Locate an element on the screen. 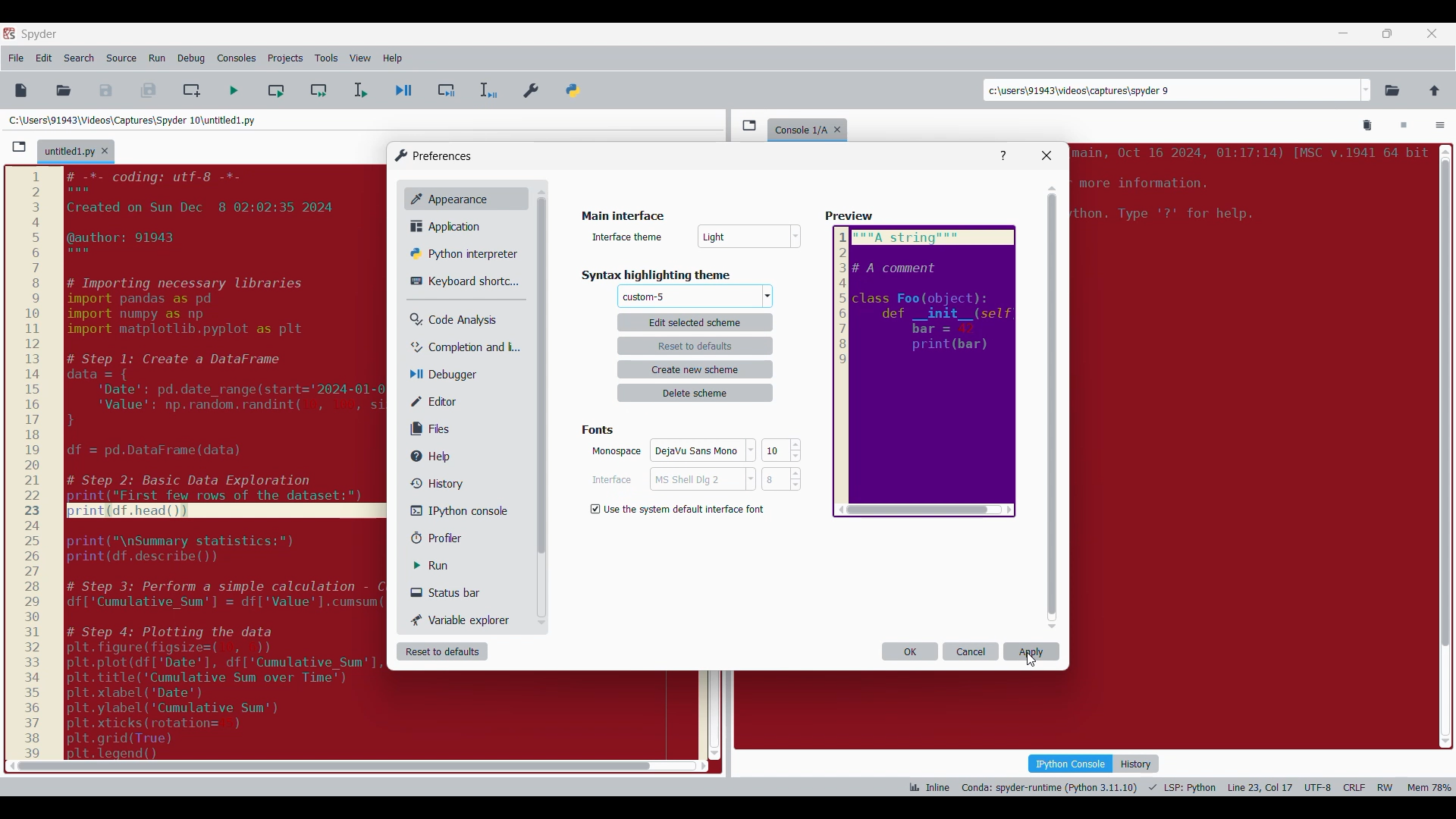  Current tab is located at coordinates (68, 152).